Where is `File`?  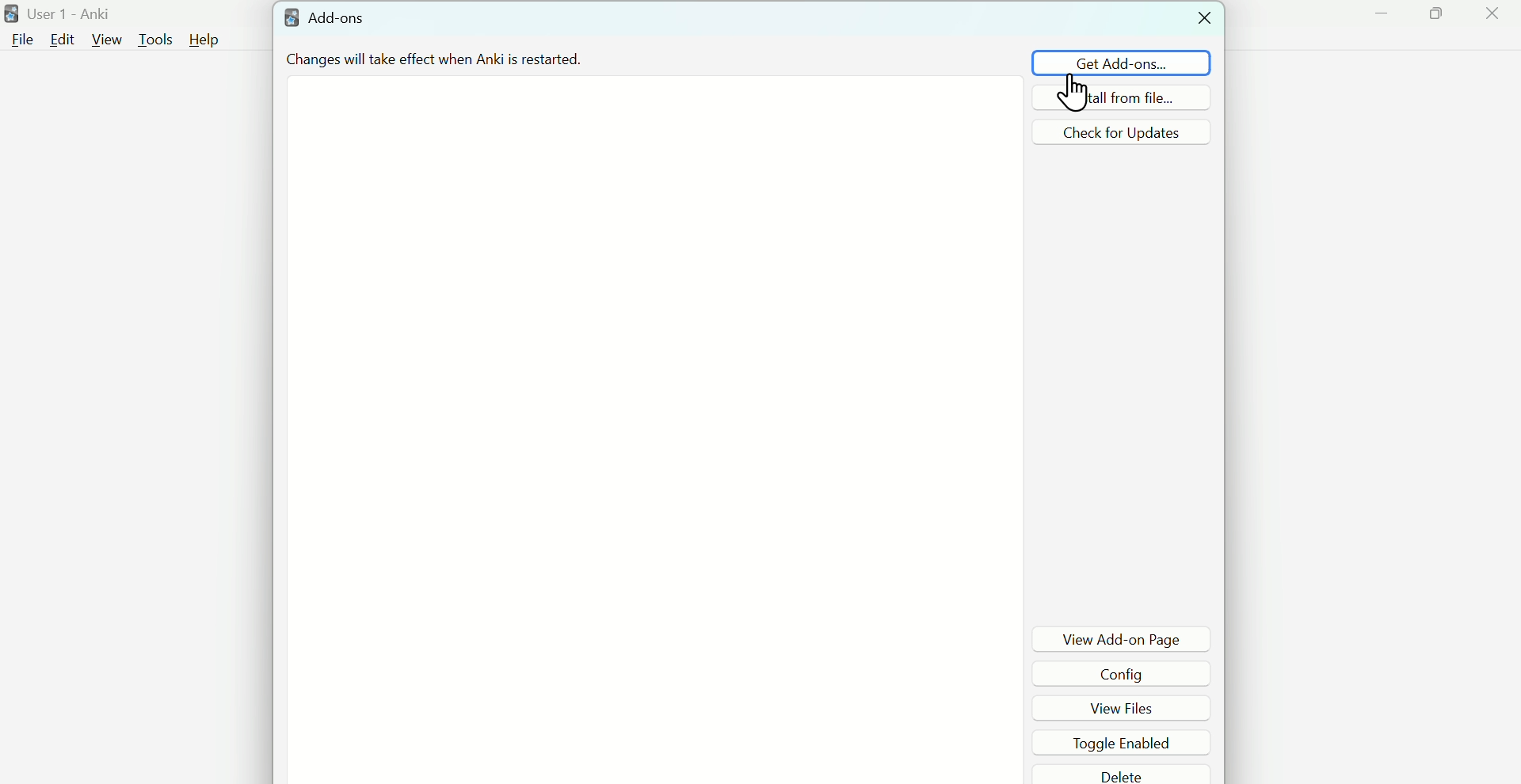 File is located at coordinates (20, 39).